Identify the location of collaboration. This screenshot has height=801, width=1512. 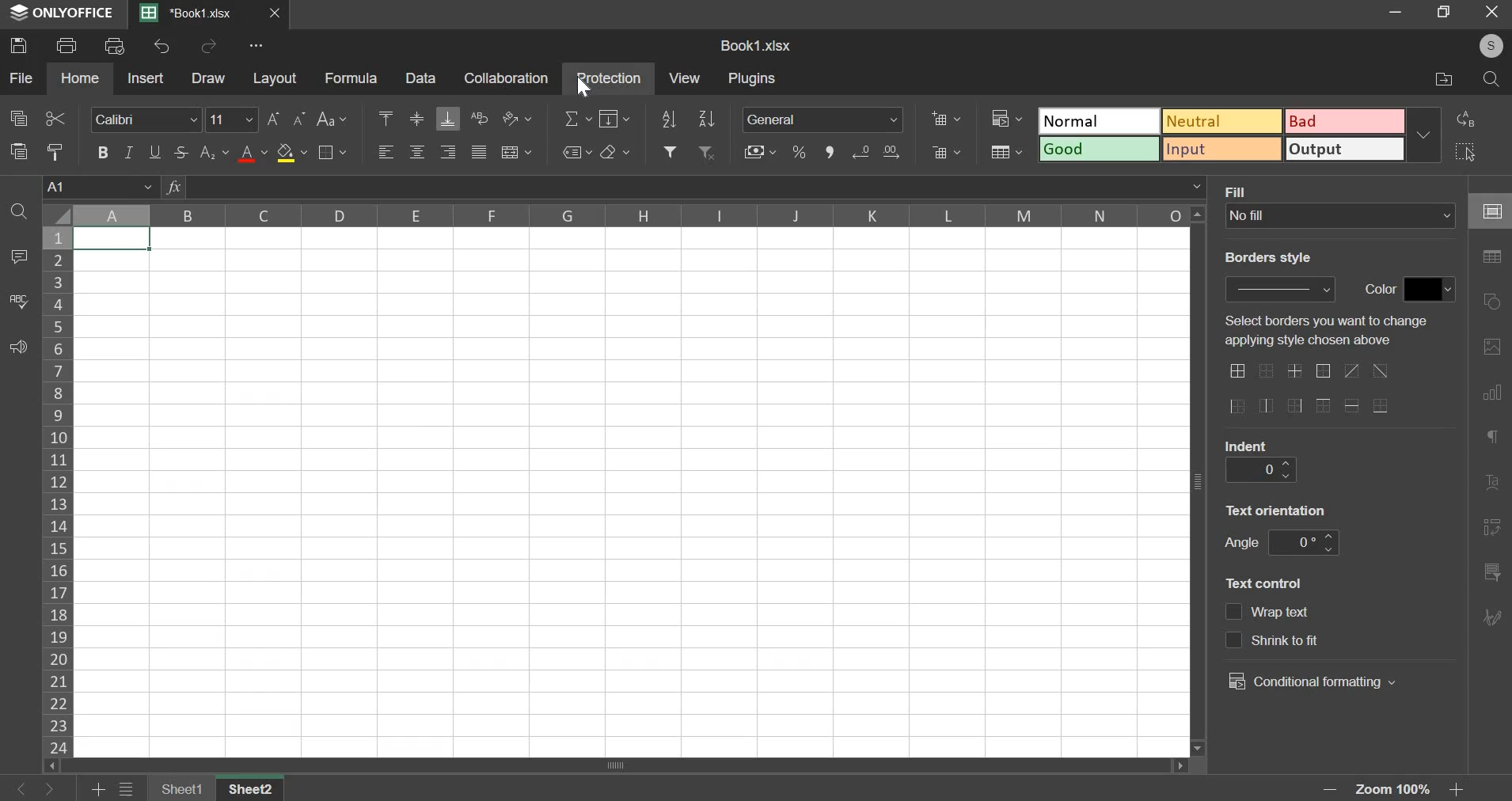
(507, 79).